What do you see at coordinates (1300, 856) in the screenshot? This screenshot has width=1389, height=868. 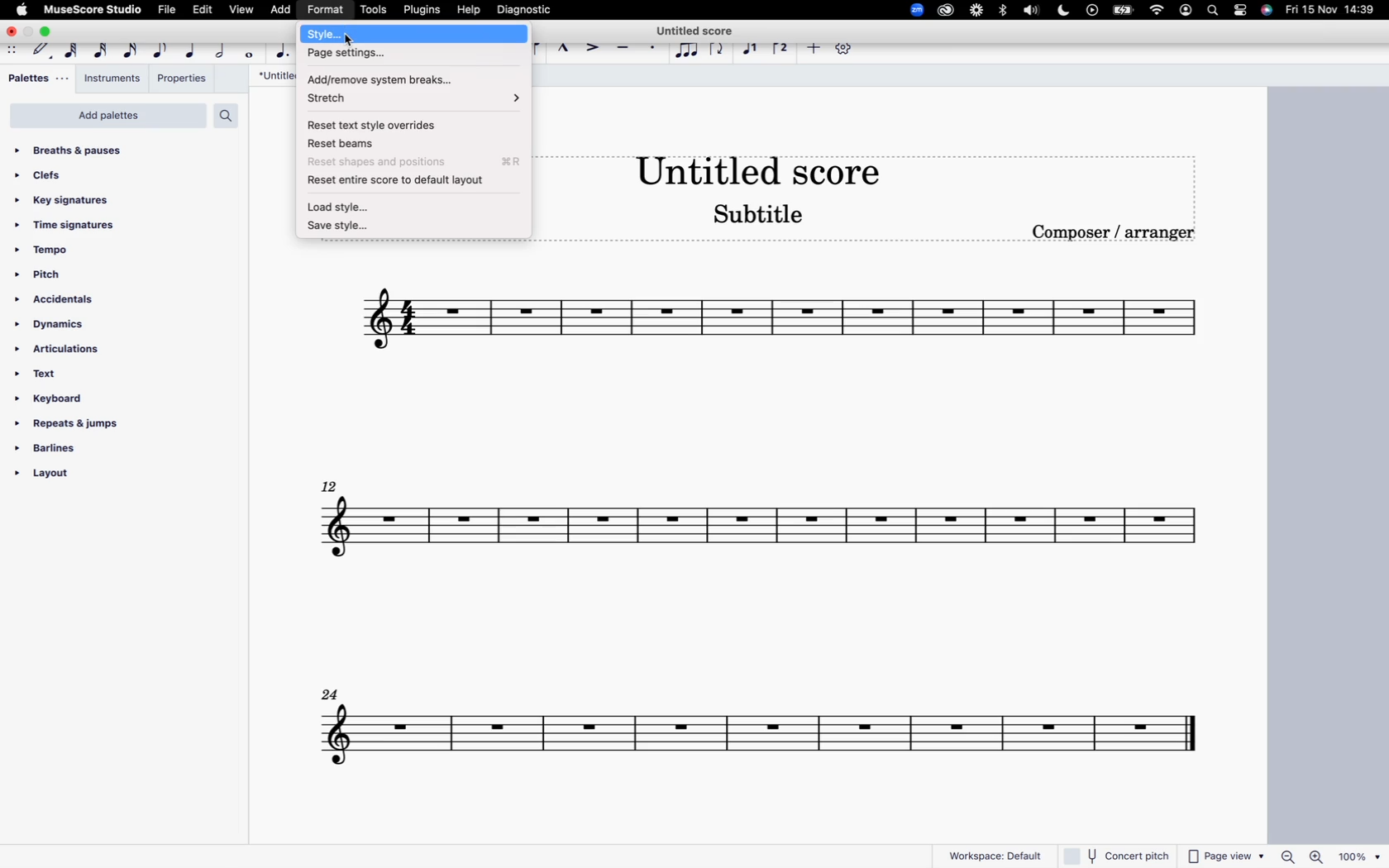 I see `Zoom in/out` at bounding box center [1300, 856].